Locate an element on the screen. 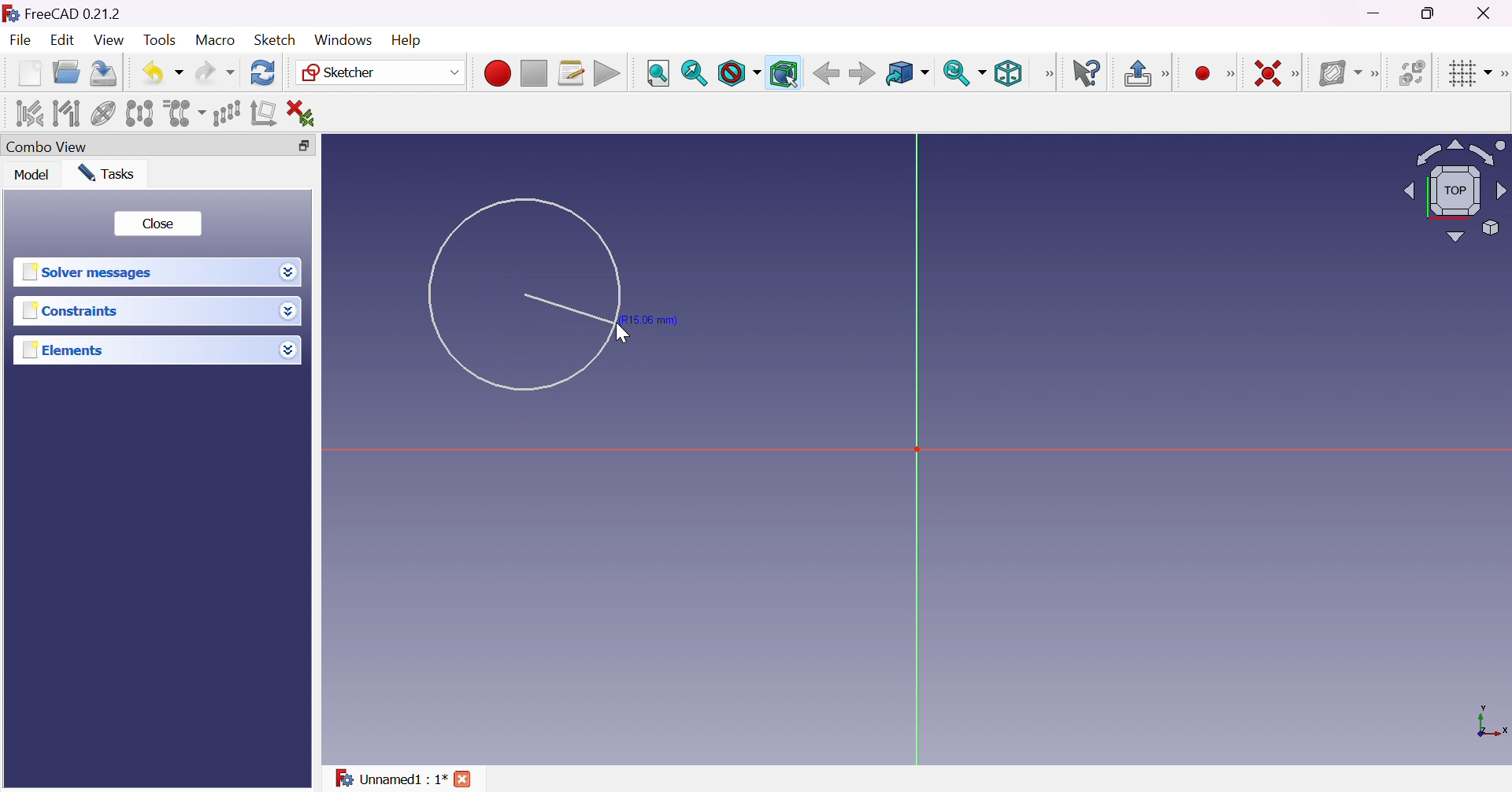  Back is located at coordinates (826, 72).